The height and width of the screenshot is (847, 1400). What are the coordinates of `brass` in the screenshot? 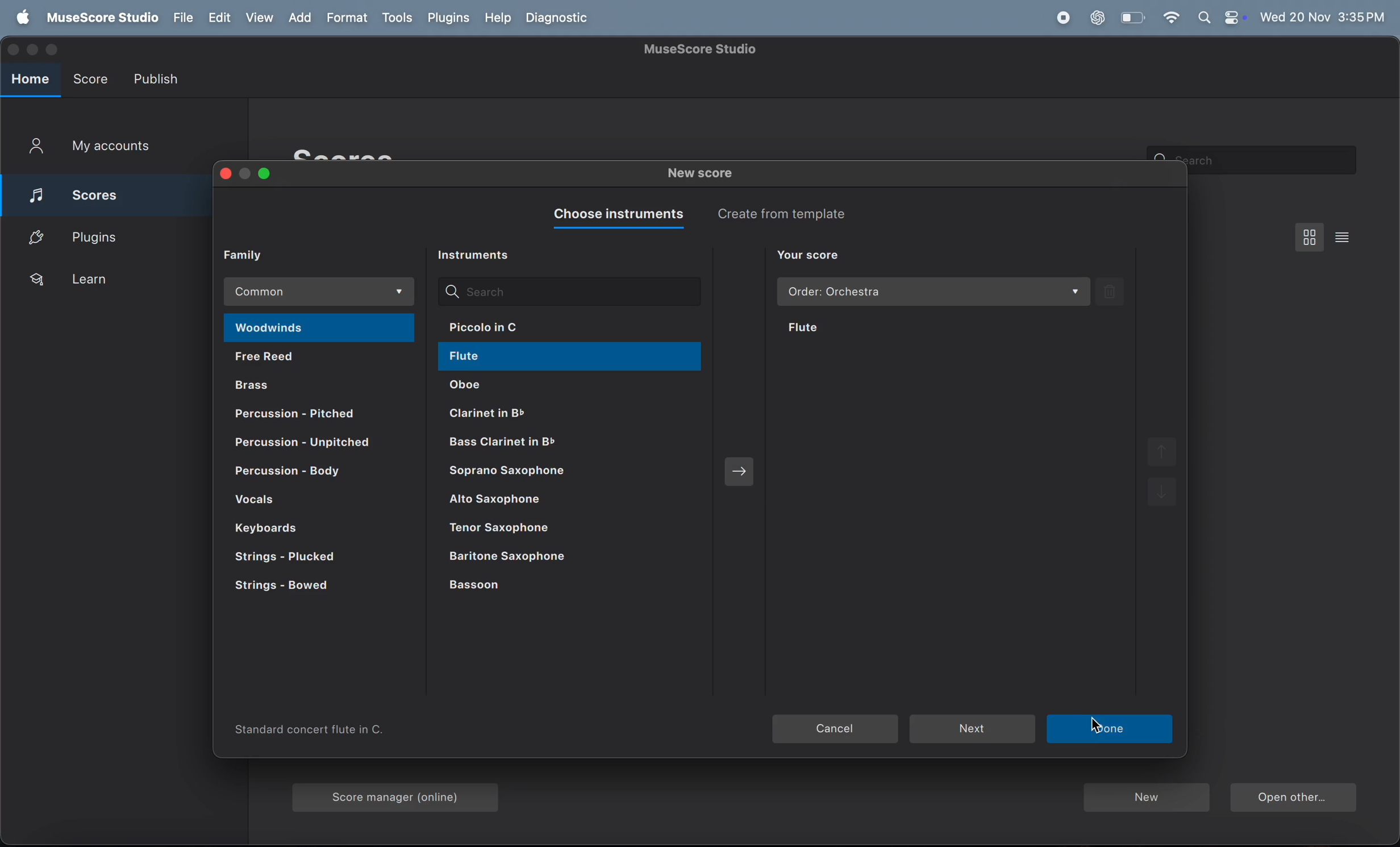 It's located at (322, 384).